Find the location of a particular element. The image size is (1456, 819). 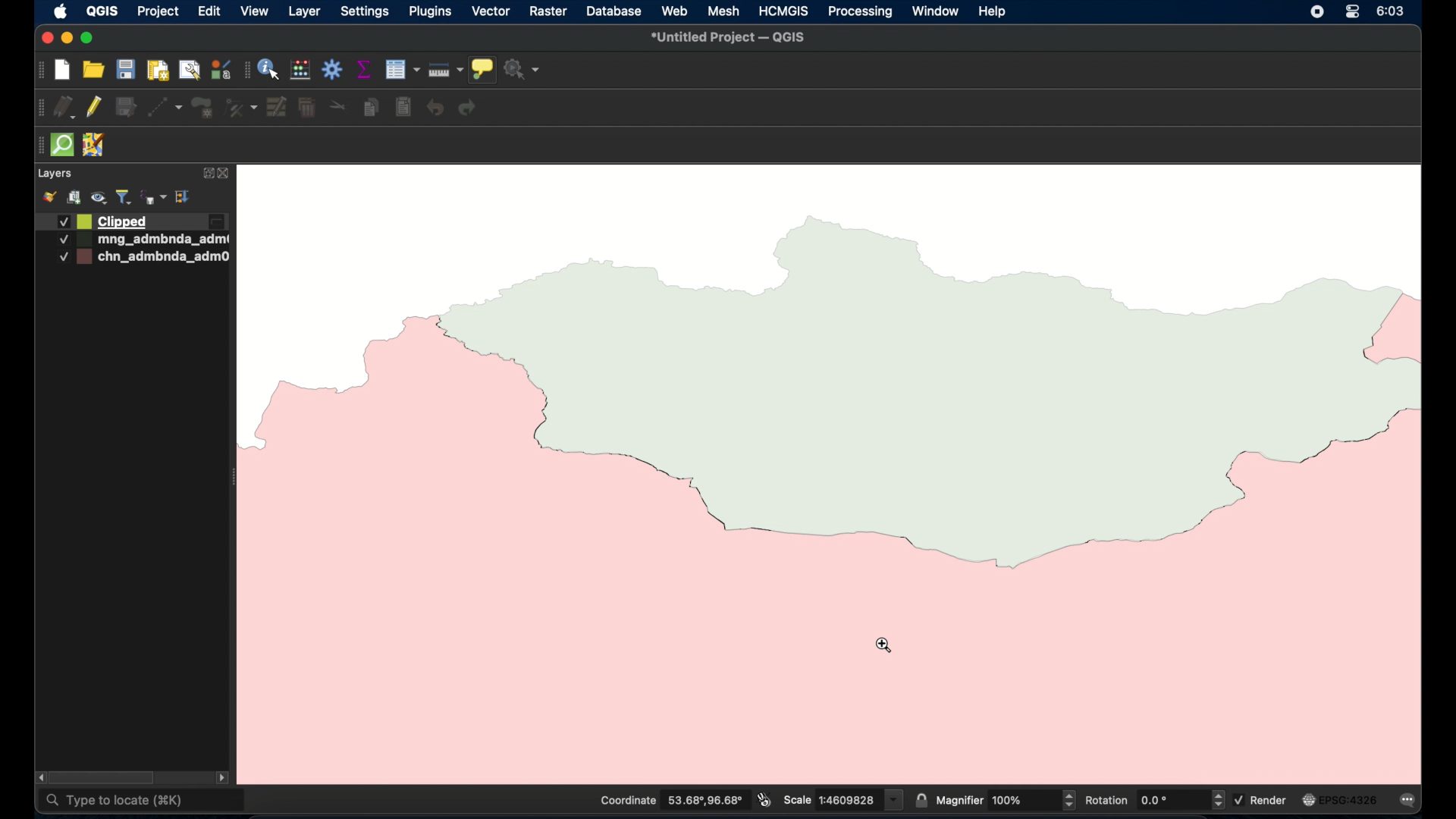

close is located at coordinates (227, 174).